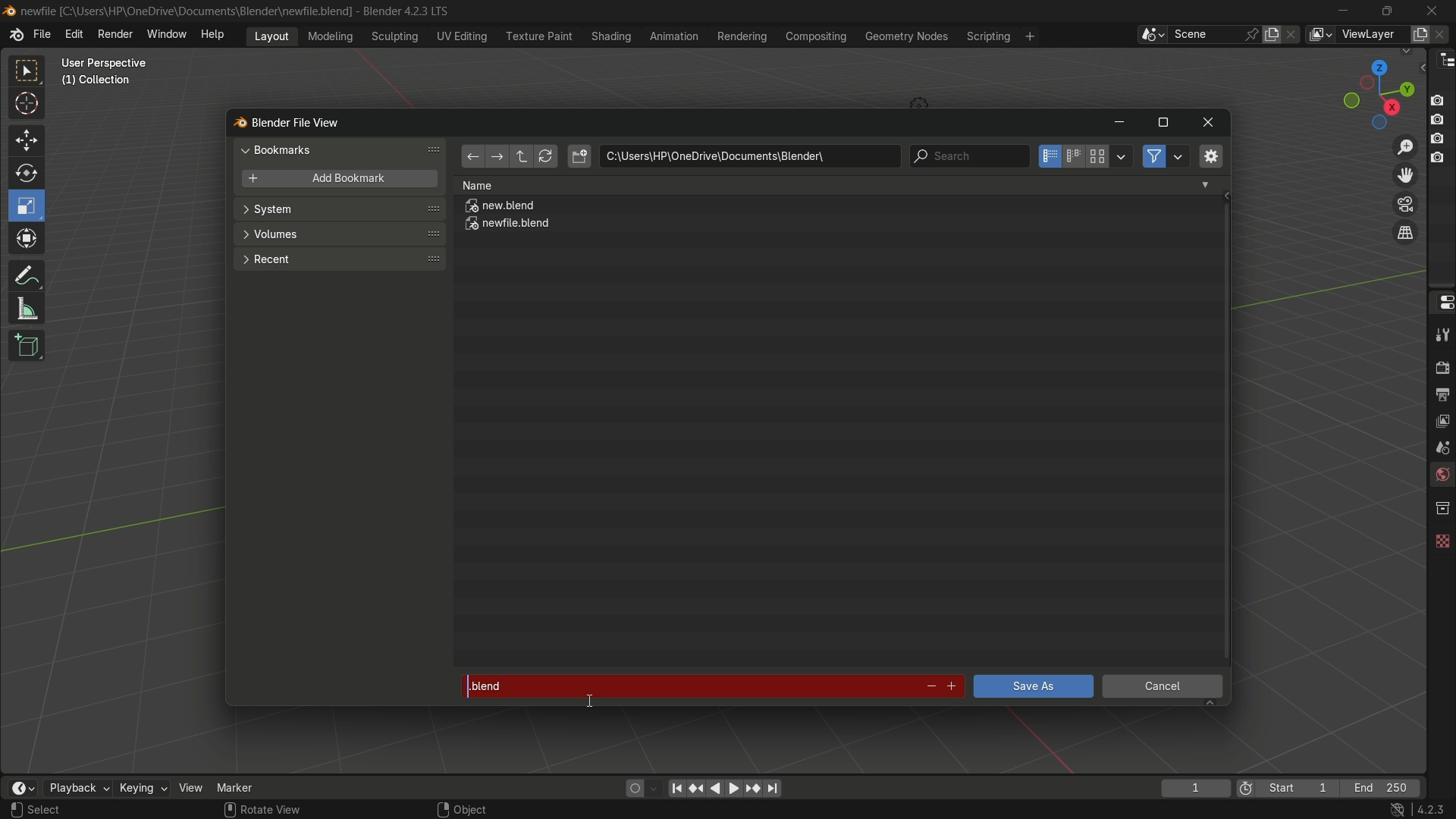 Image resolution: width=1456 pixels, height=819 pixels. Describe the element at coordinates (1288, 788) in the screenshot. I see `first frame of the playback` at that location.